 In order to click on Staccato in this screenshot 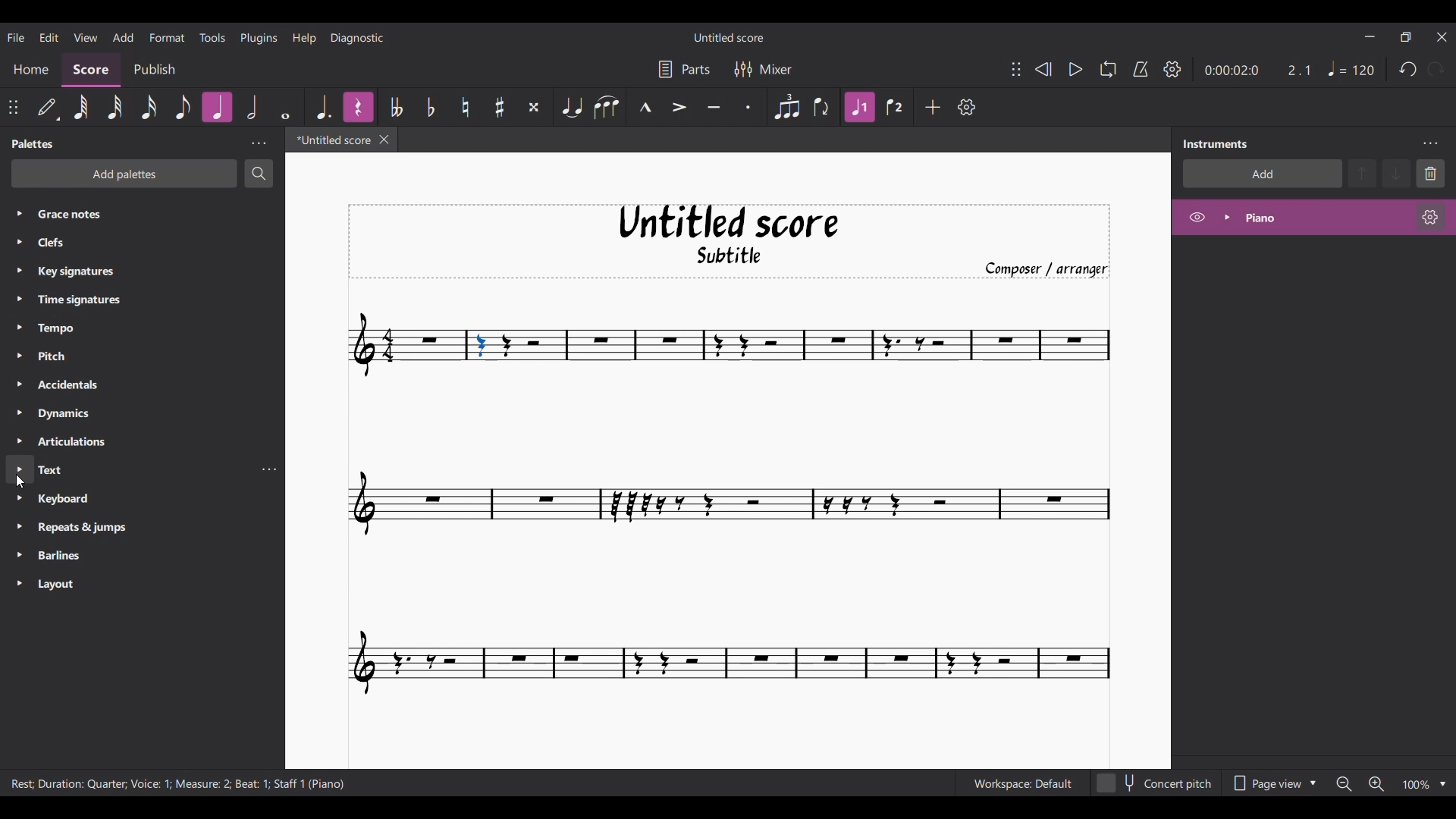, I will do `click(747, 108)`.